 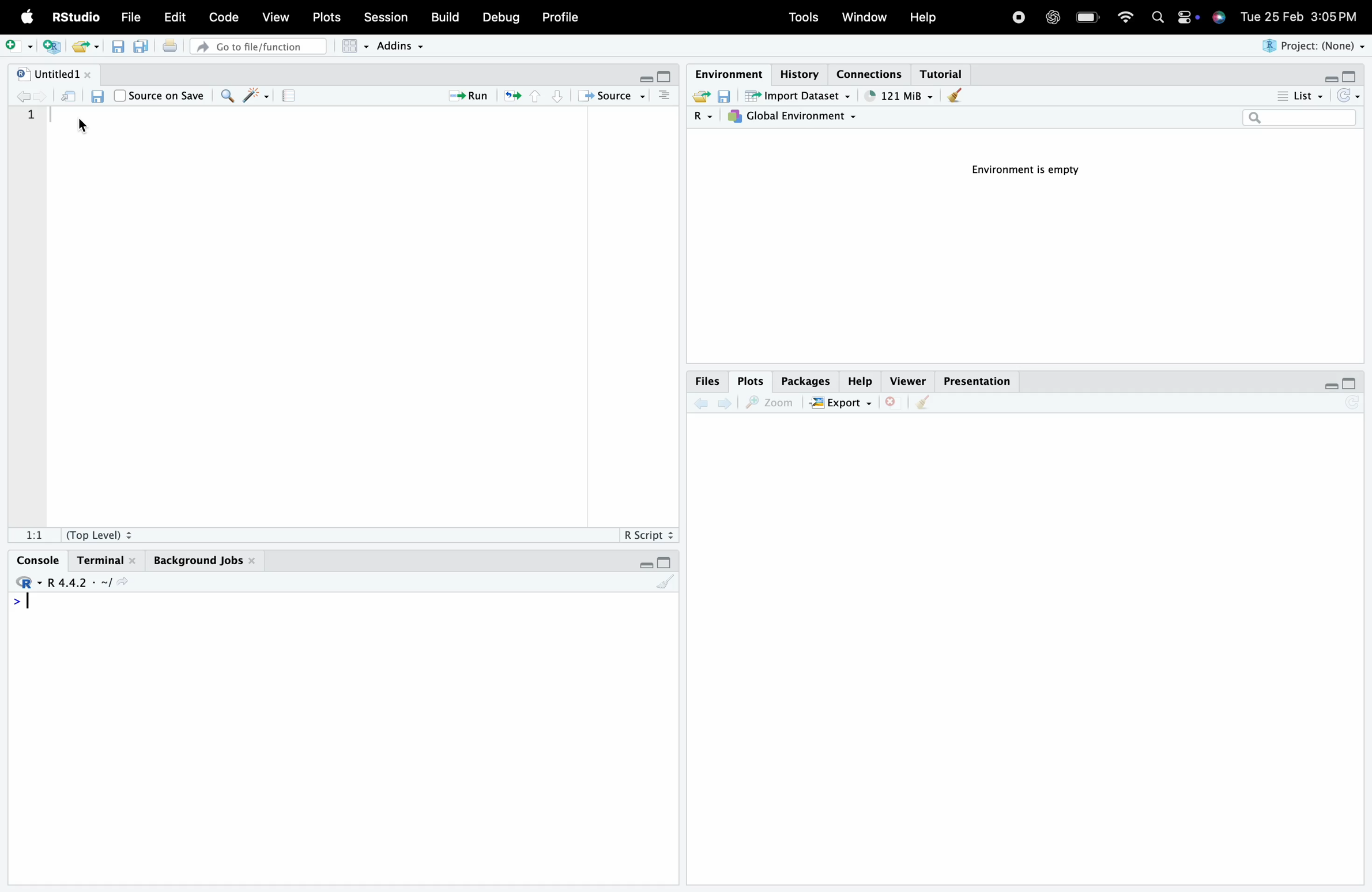 I want to click on Save all open documents (Ctrl + Alt + S), so click(x=142, y=47).